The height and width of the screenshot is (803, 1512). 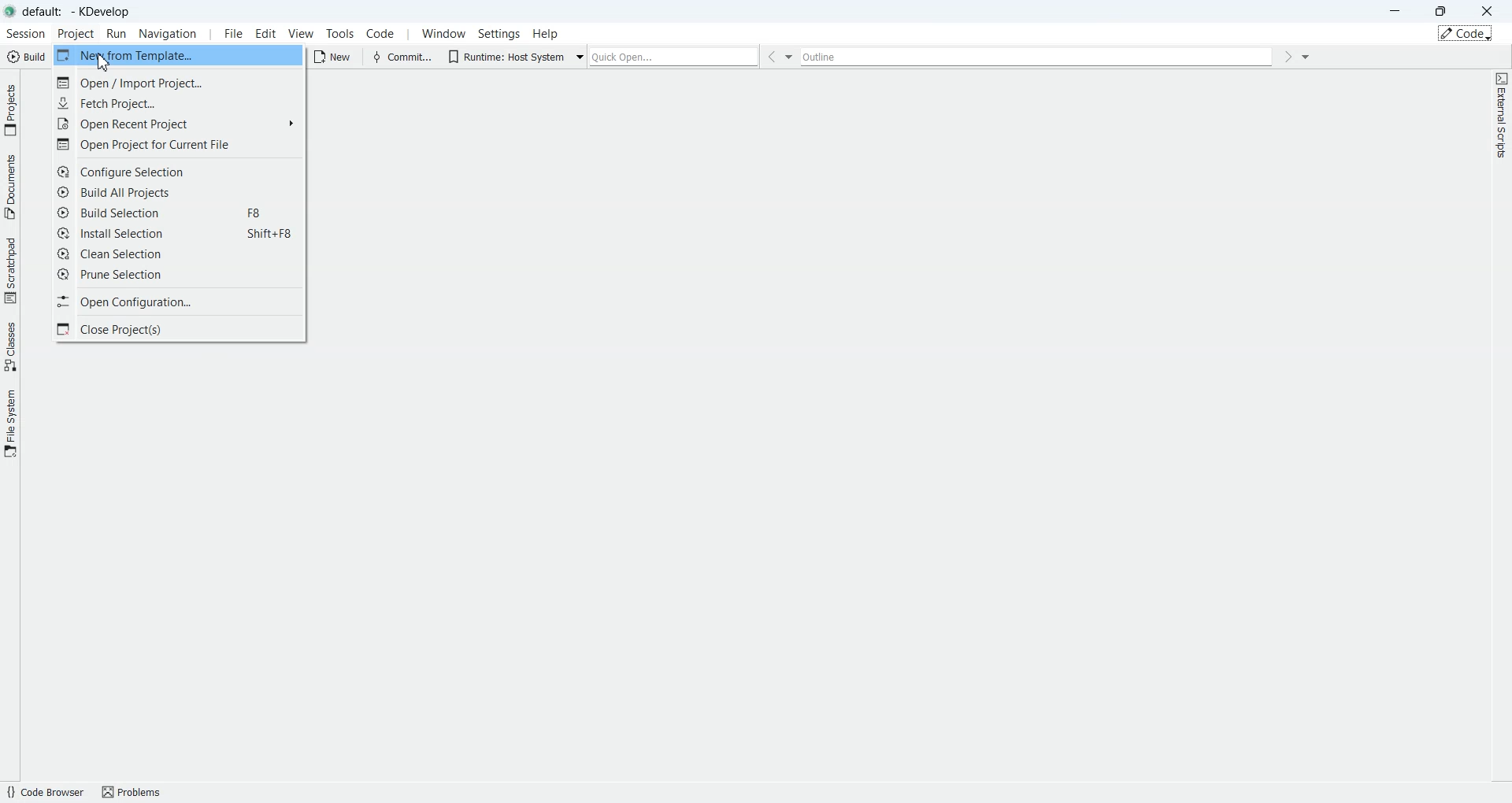 What do you see at coordinates (107, 63) in the screenshot?
I see `cursor` at bounding box center [107, 63].